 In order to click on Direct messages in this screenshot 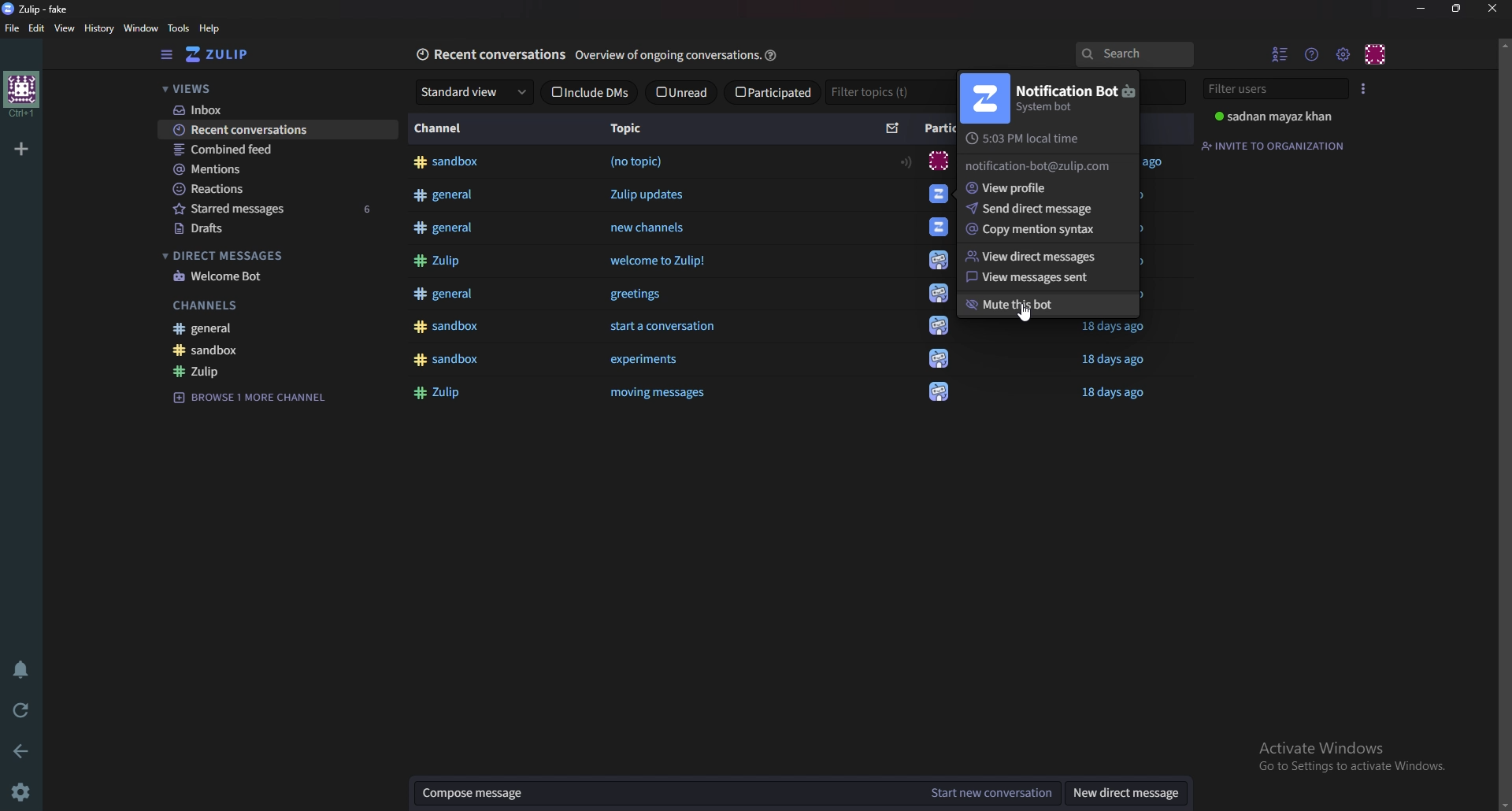, I will do `click(262, 254)`.